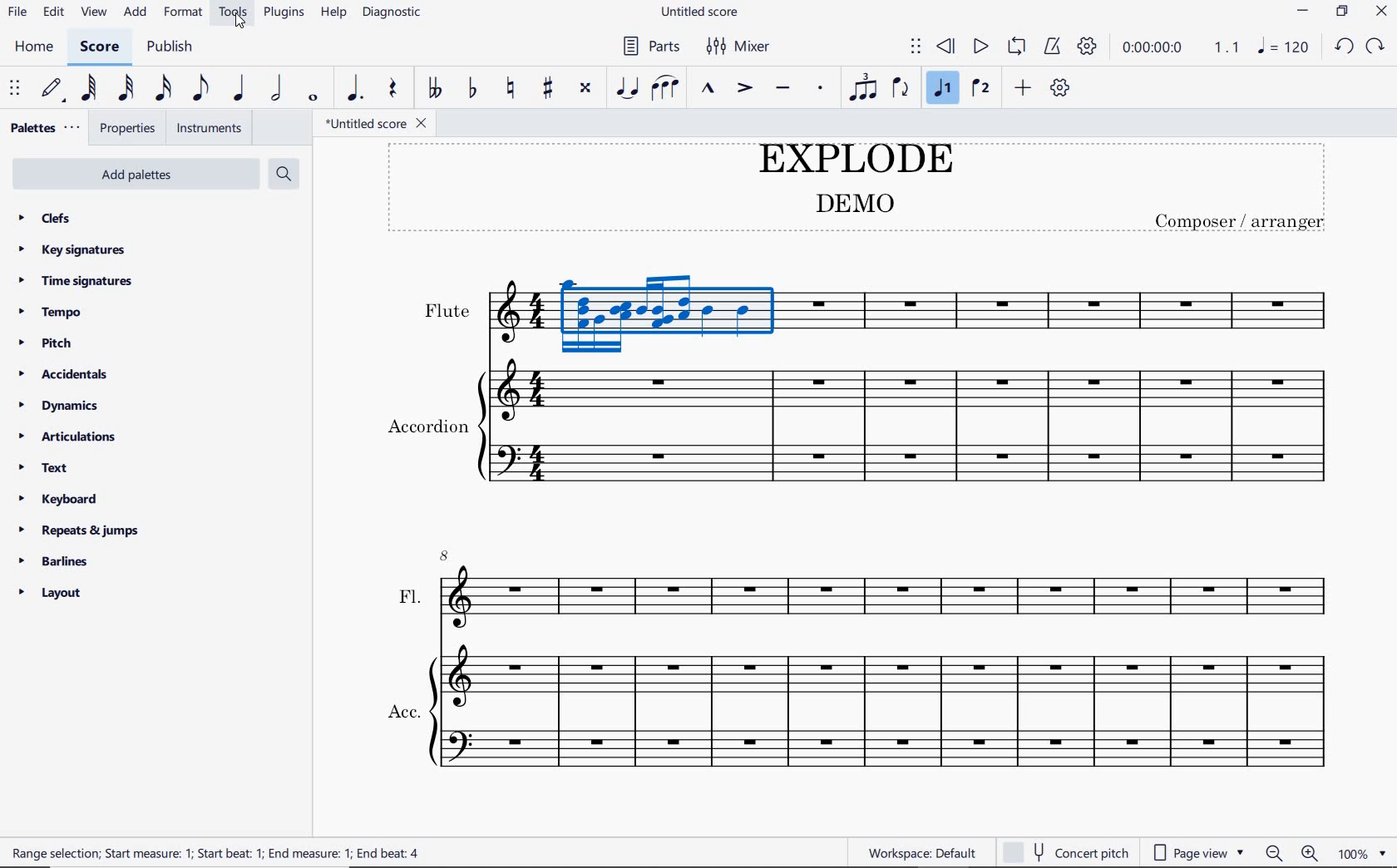 The width and height of the screenshot is (1397, 868). What do you see at coordinates (784, 91) in the screenshot?
I see `tenuto` at bounding box center [784, 91].